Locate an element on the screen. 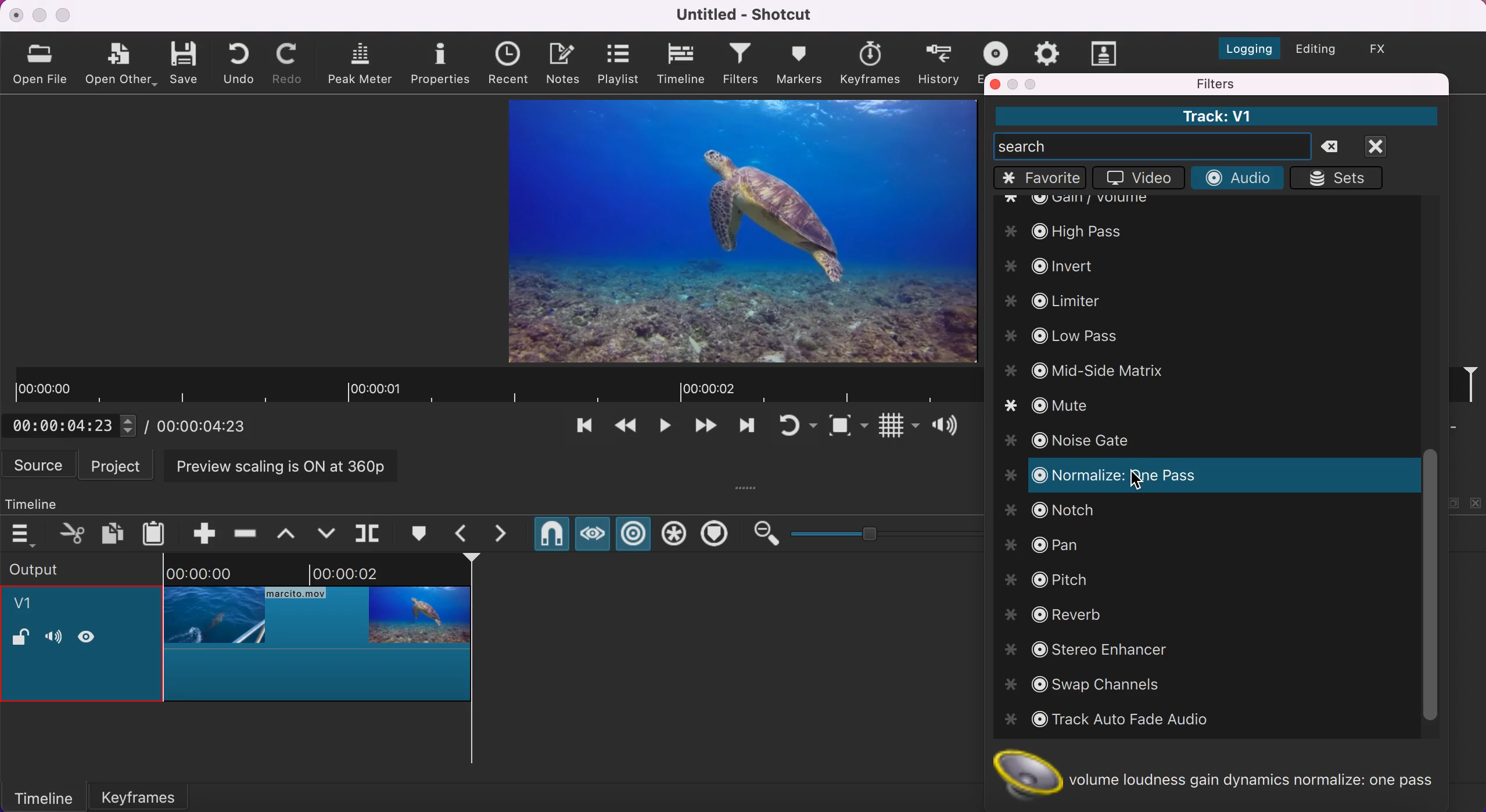 This screenshot has height=812, width=1486. ripple markers is located at coordinates (717, 535).